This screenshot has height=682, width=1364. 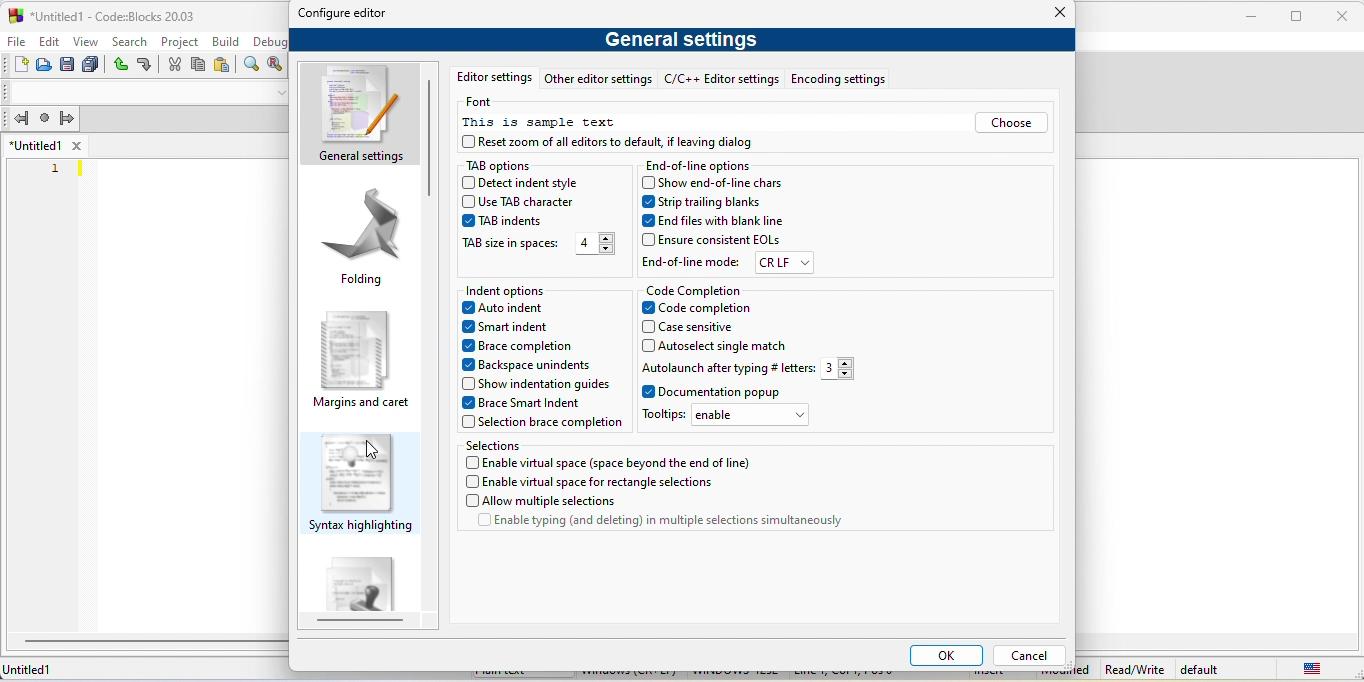 I want to click on end of line mode crlf, so click(x=727, y=262).